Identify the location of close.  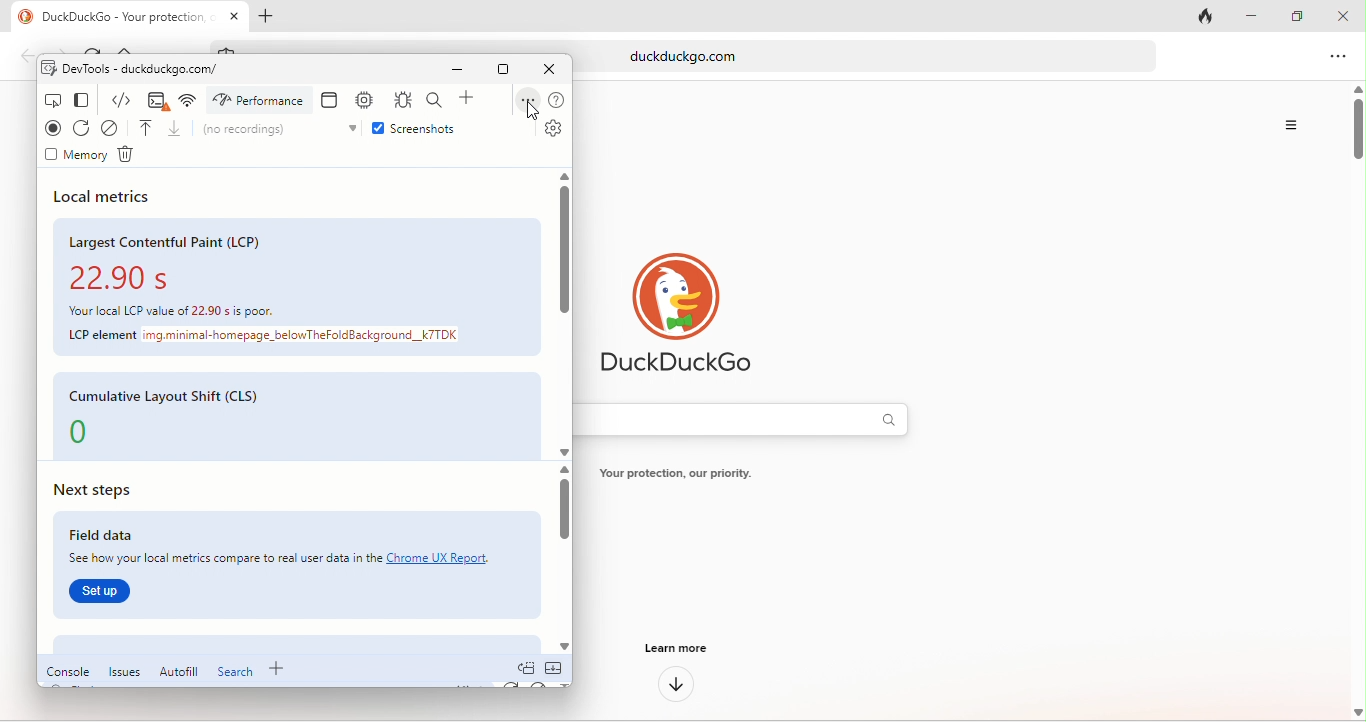
(551, 71).